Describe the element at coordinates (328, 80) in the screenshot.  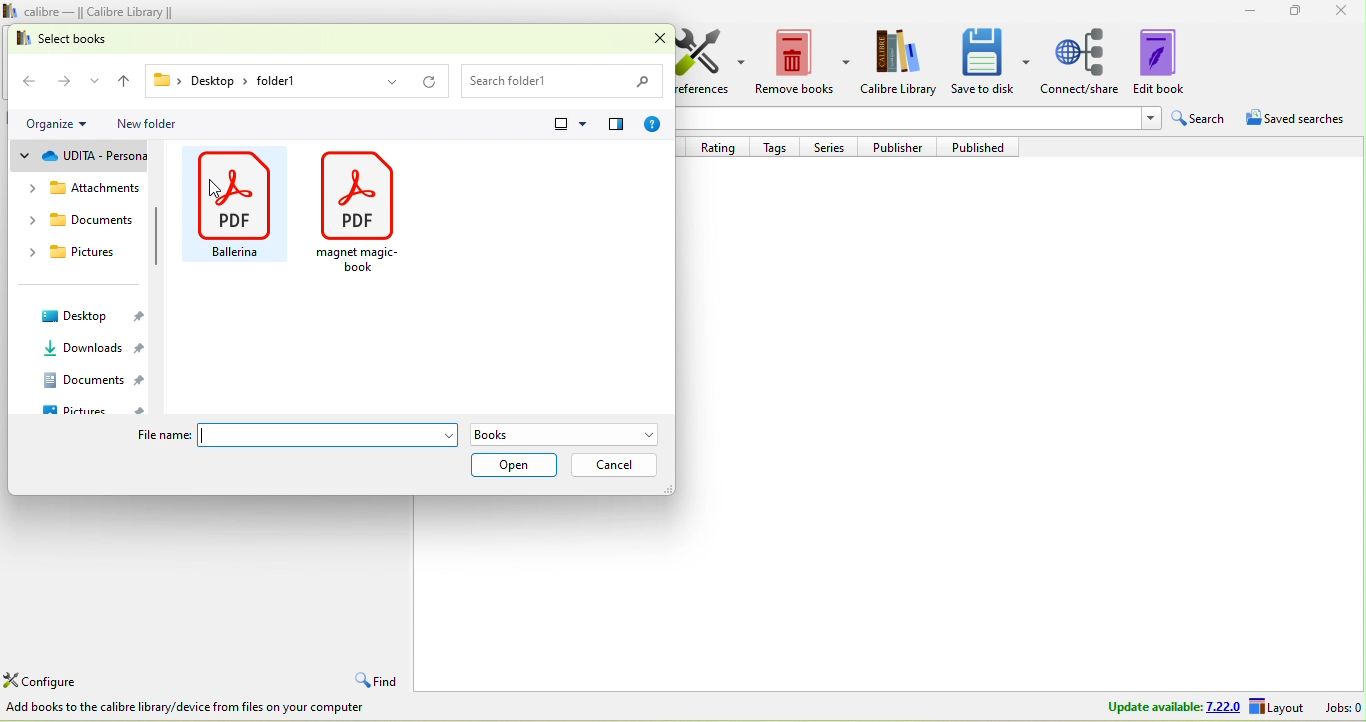
I see `folder 1` at that location.